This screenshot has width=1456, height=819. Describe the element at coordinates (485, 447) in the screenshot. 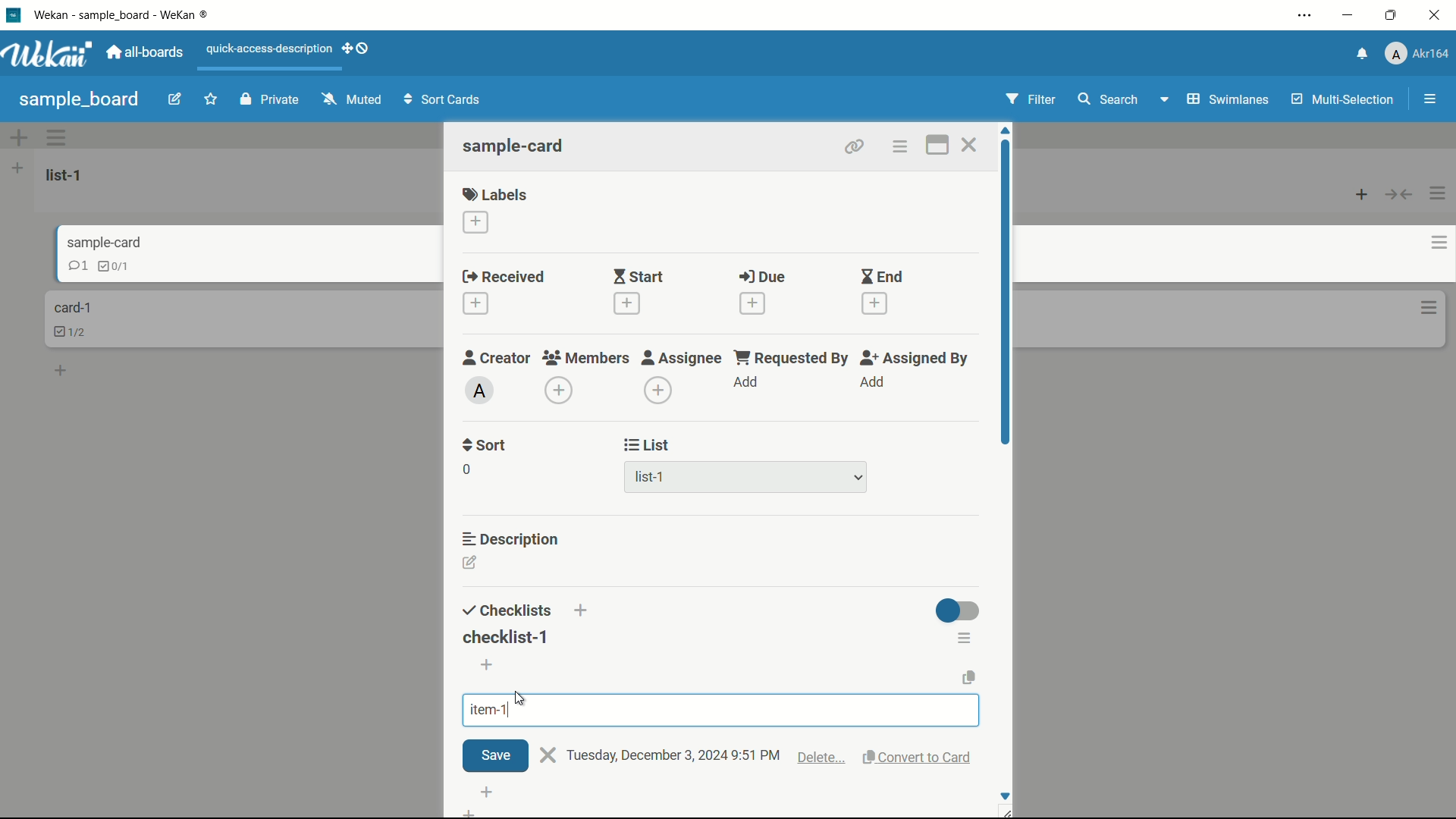

I see `sort` at that location.